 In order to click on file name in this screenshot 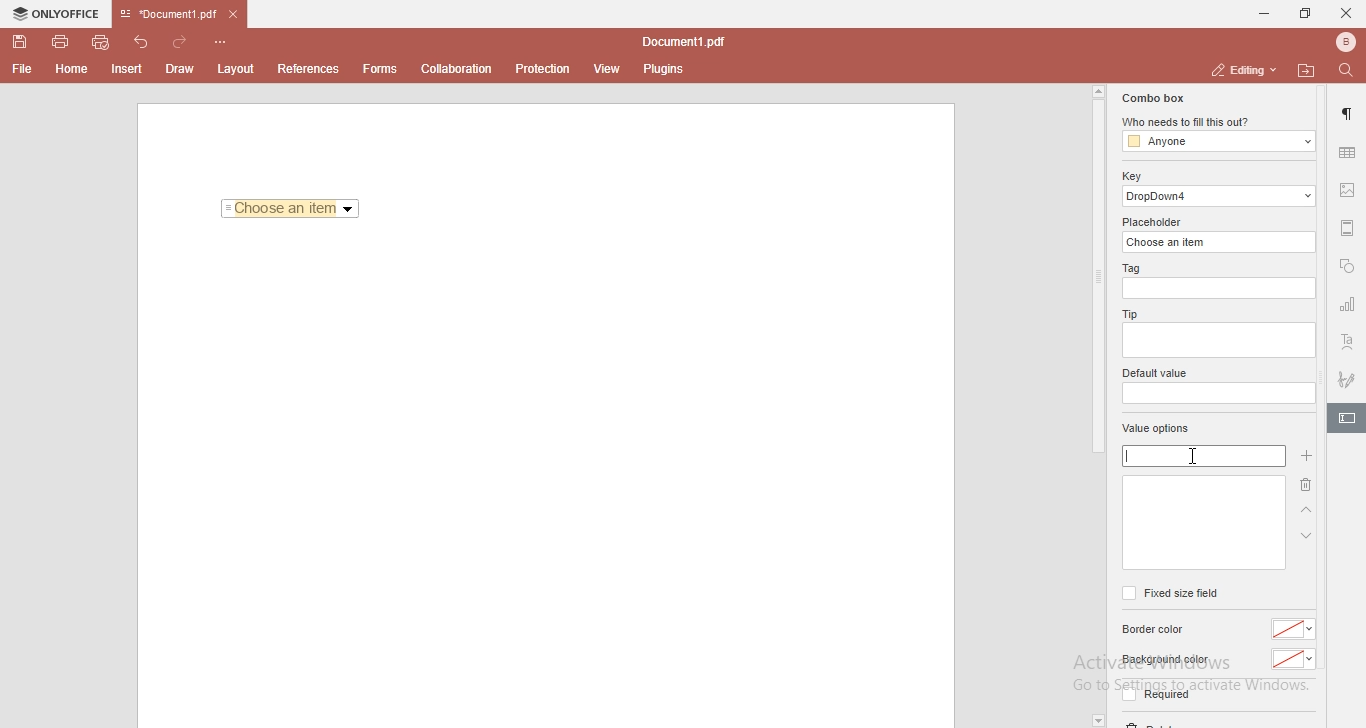, I will do `click(688, 43)`.